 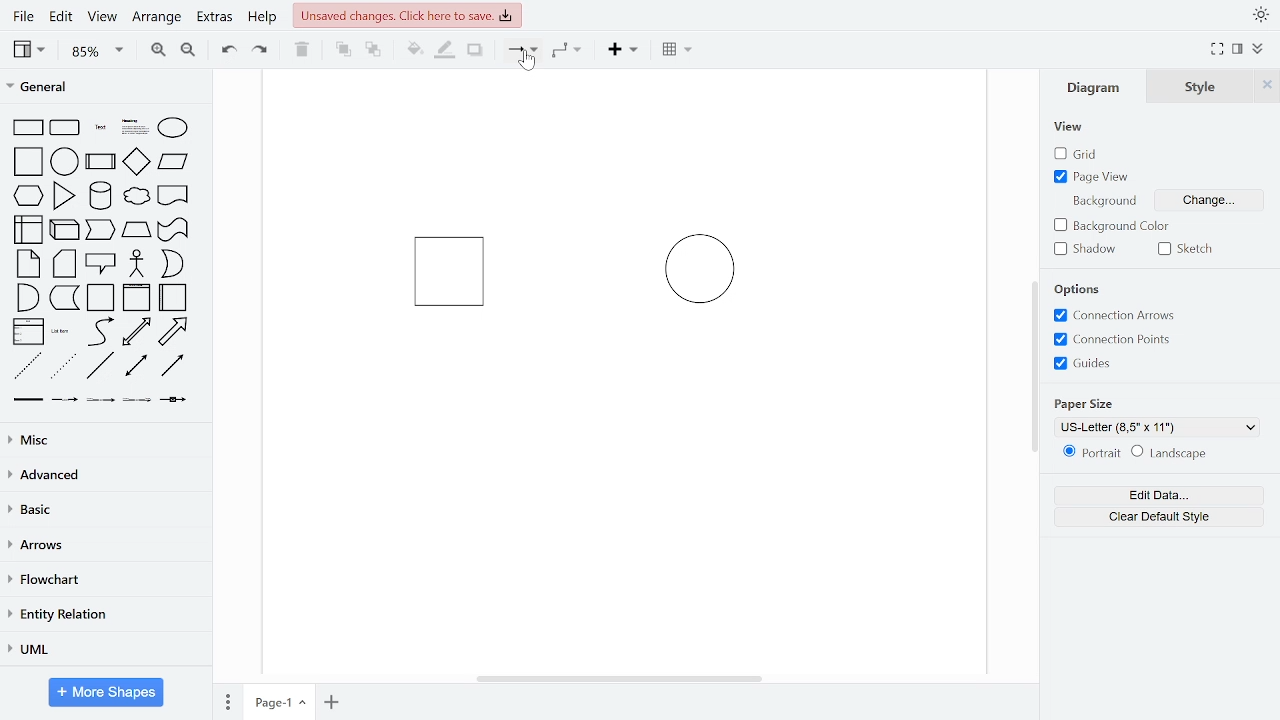 What do you see at coordinates (102, 439) in the screenshot?
I see `misc` at bounding box center [102, 439].